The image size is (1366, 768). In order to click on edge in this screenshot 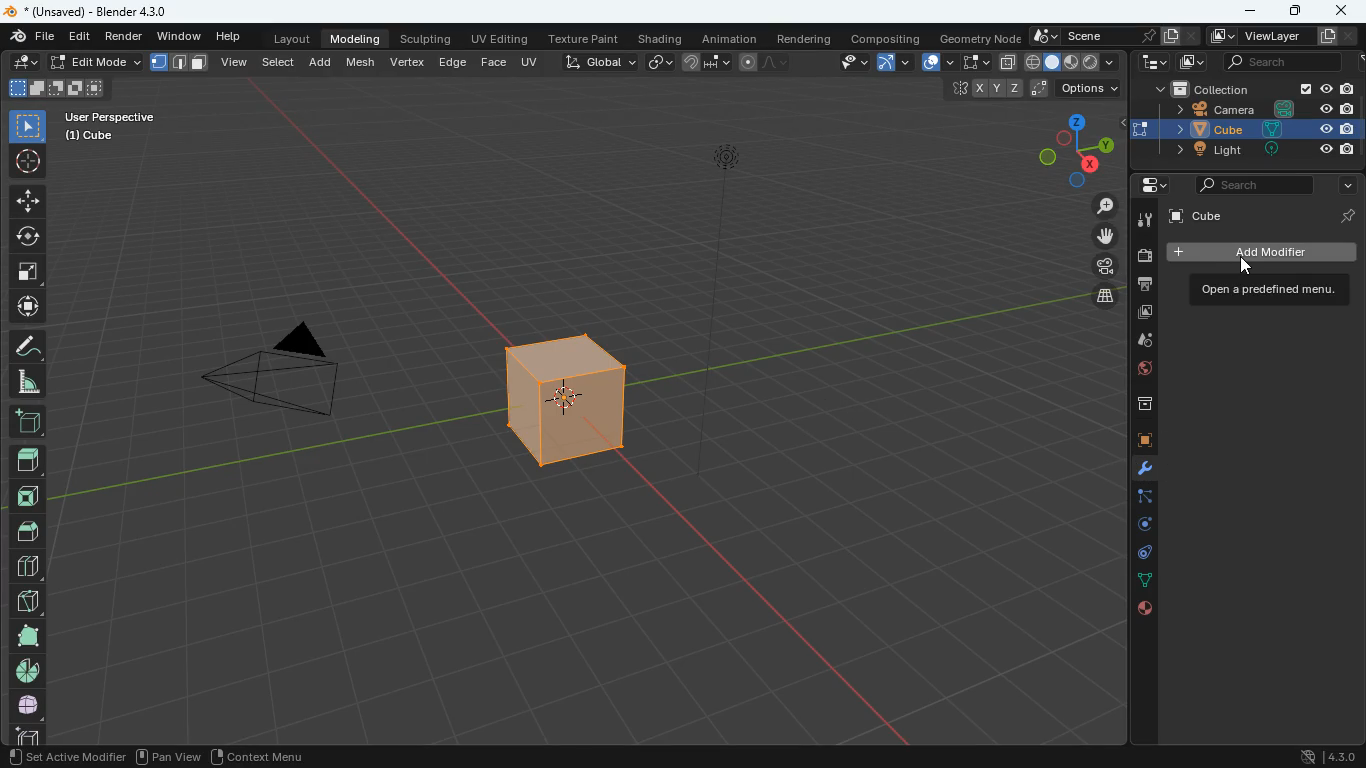, I will do `click(1136, 498)`.